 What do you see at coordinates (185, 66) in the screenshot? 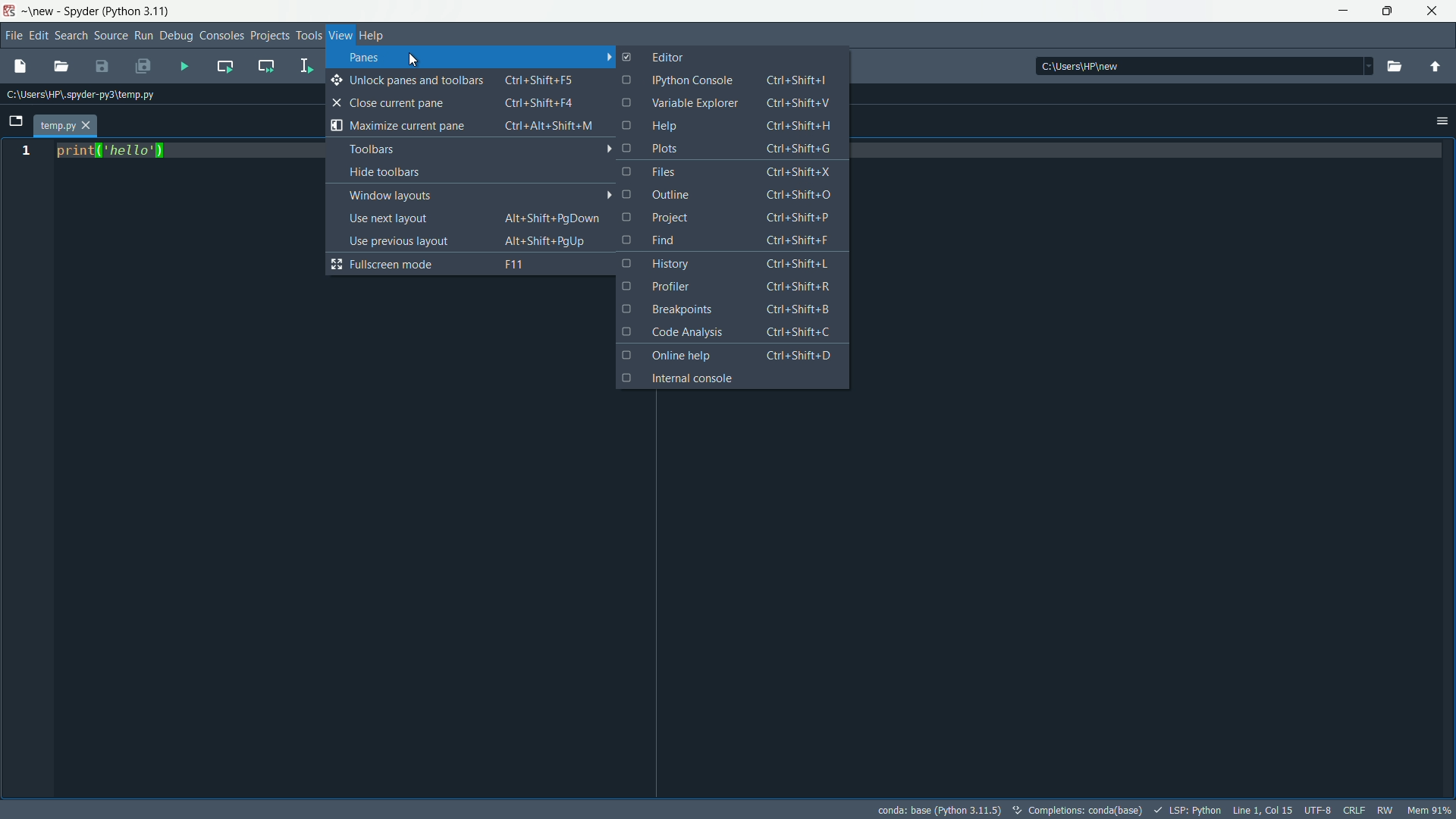
I see `run file` at bounding box center [185, 66].